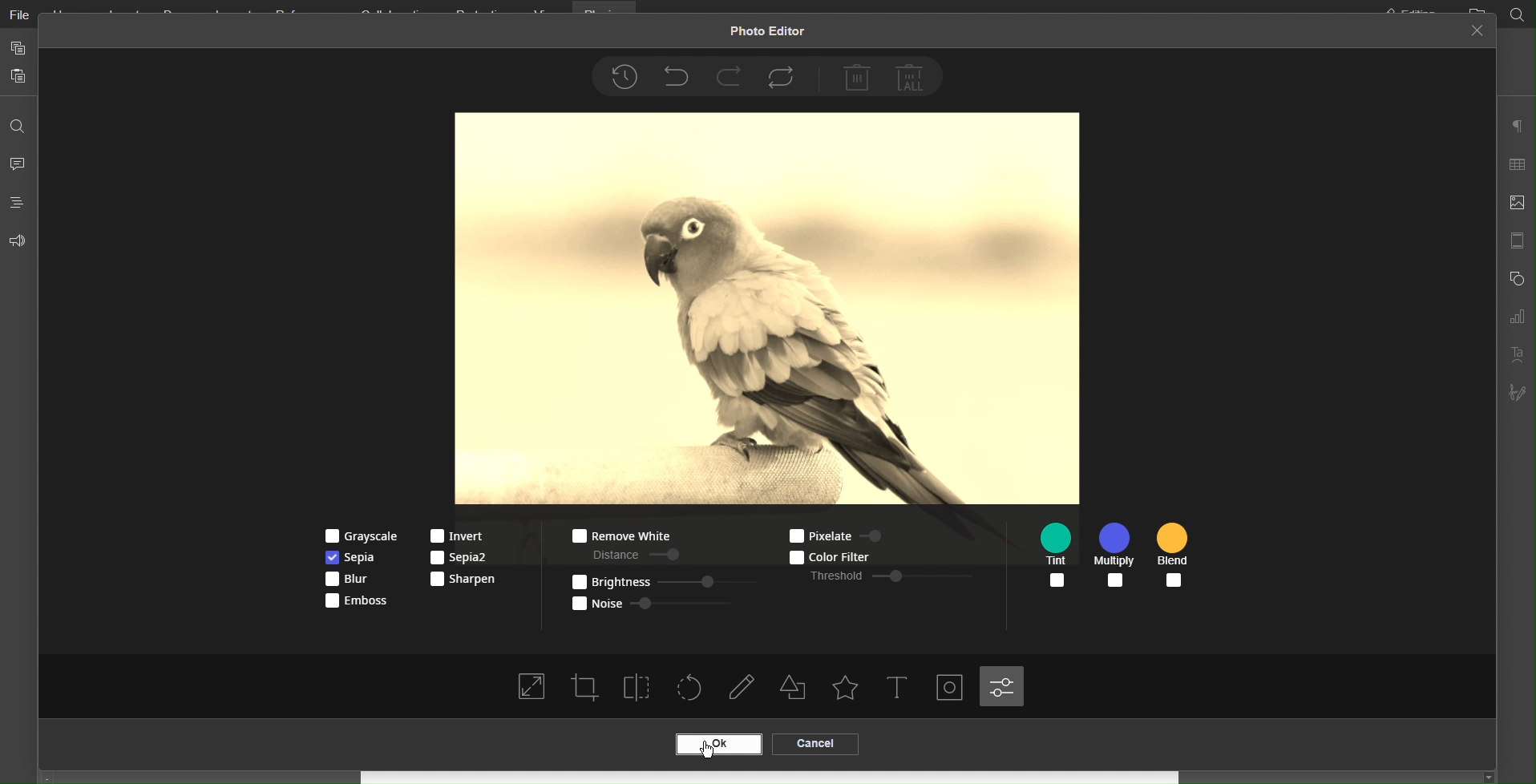 Image resolution: width=1536 pixels, height=784 pixels. I want to click on Sharpen, so click(463, 579).